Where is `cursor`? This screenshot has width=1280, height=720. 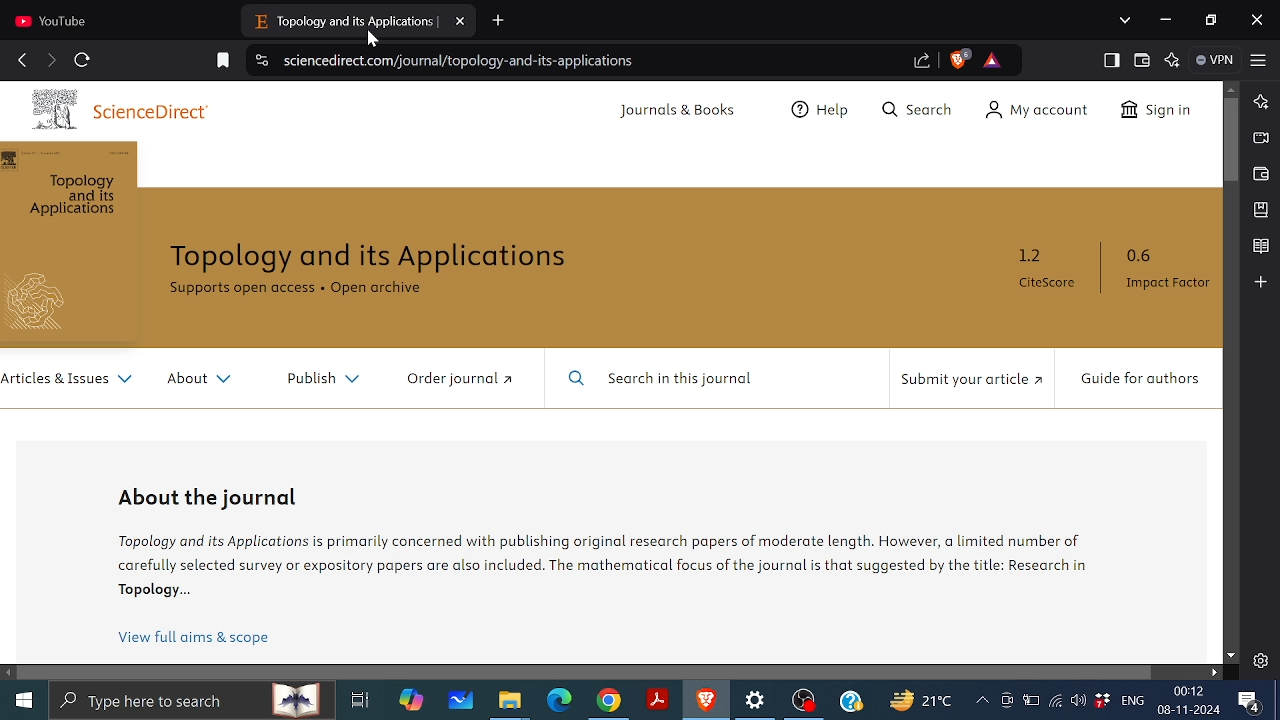 cursor is located at coordinates (374, 41).